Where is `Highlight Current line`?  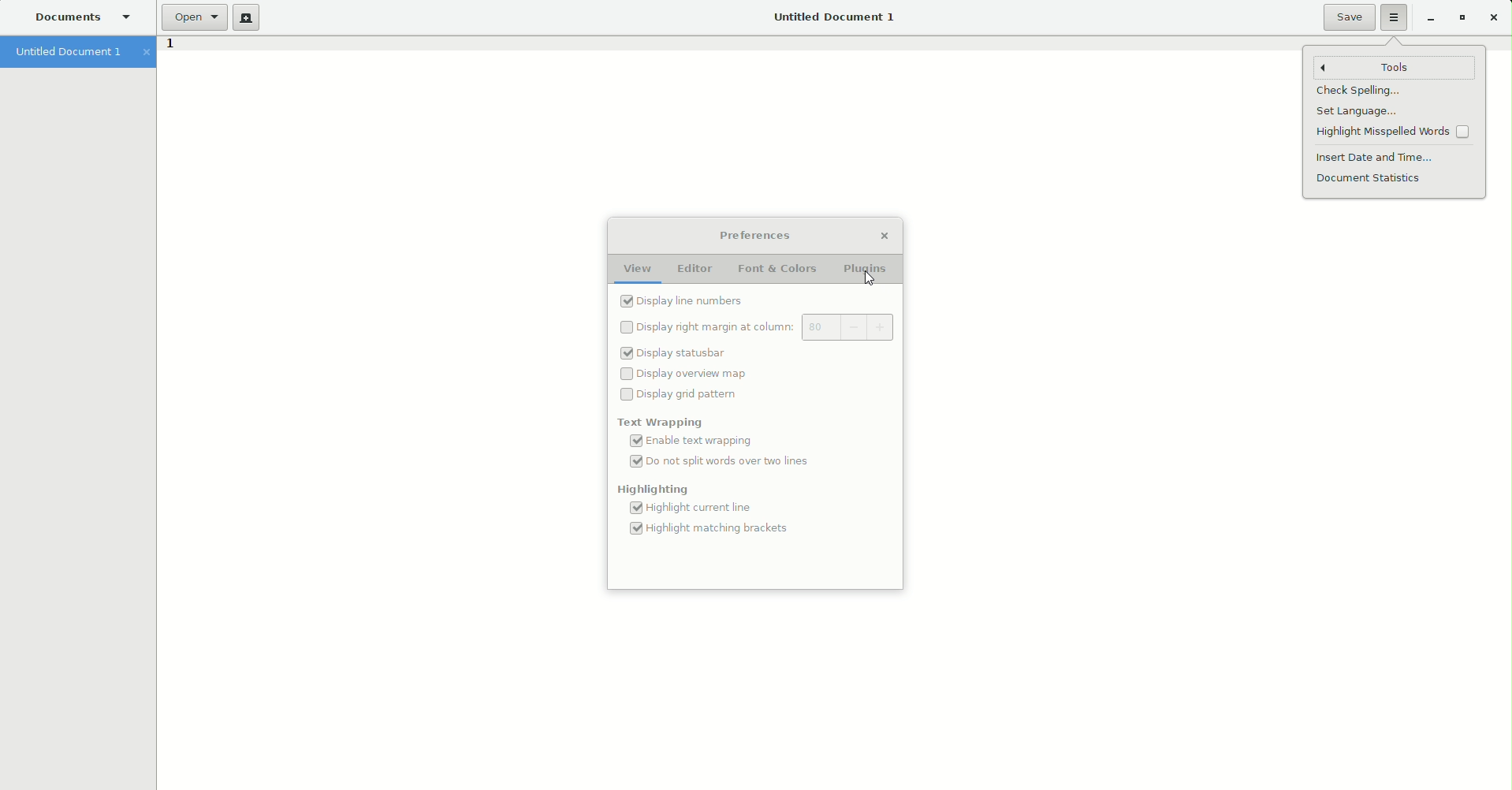 Highlight Current line is located at coordinates (688, 509).